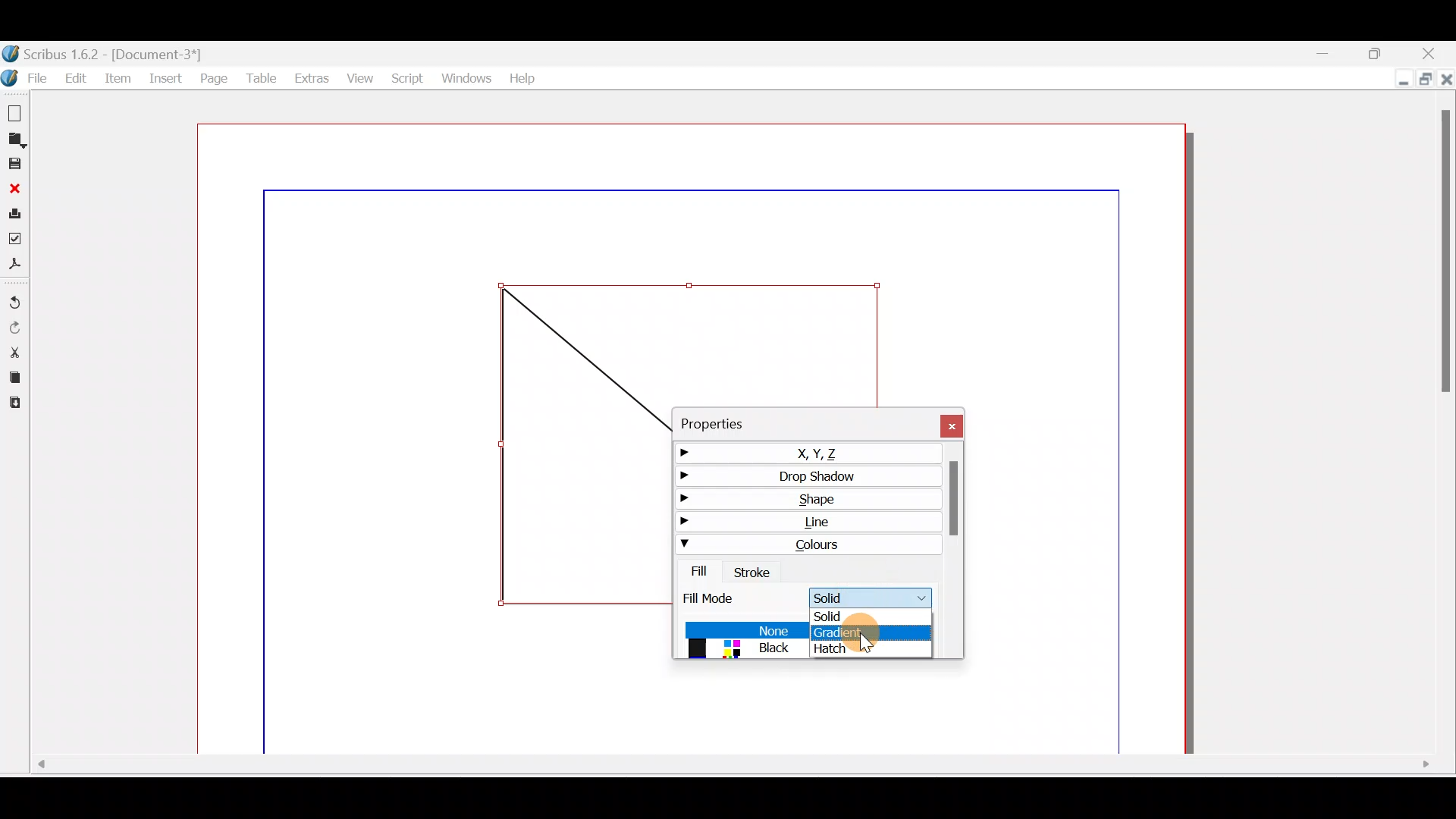 The width and height of the screenshot is (1456, 819). I want to click on Gradient, so click(875, 634).